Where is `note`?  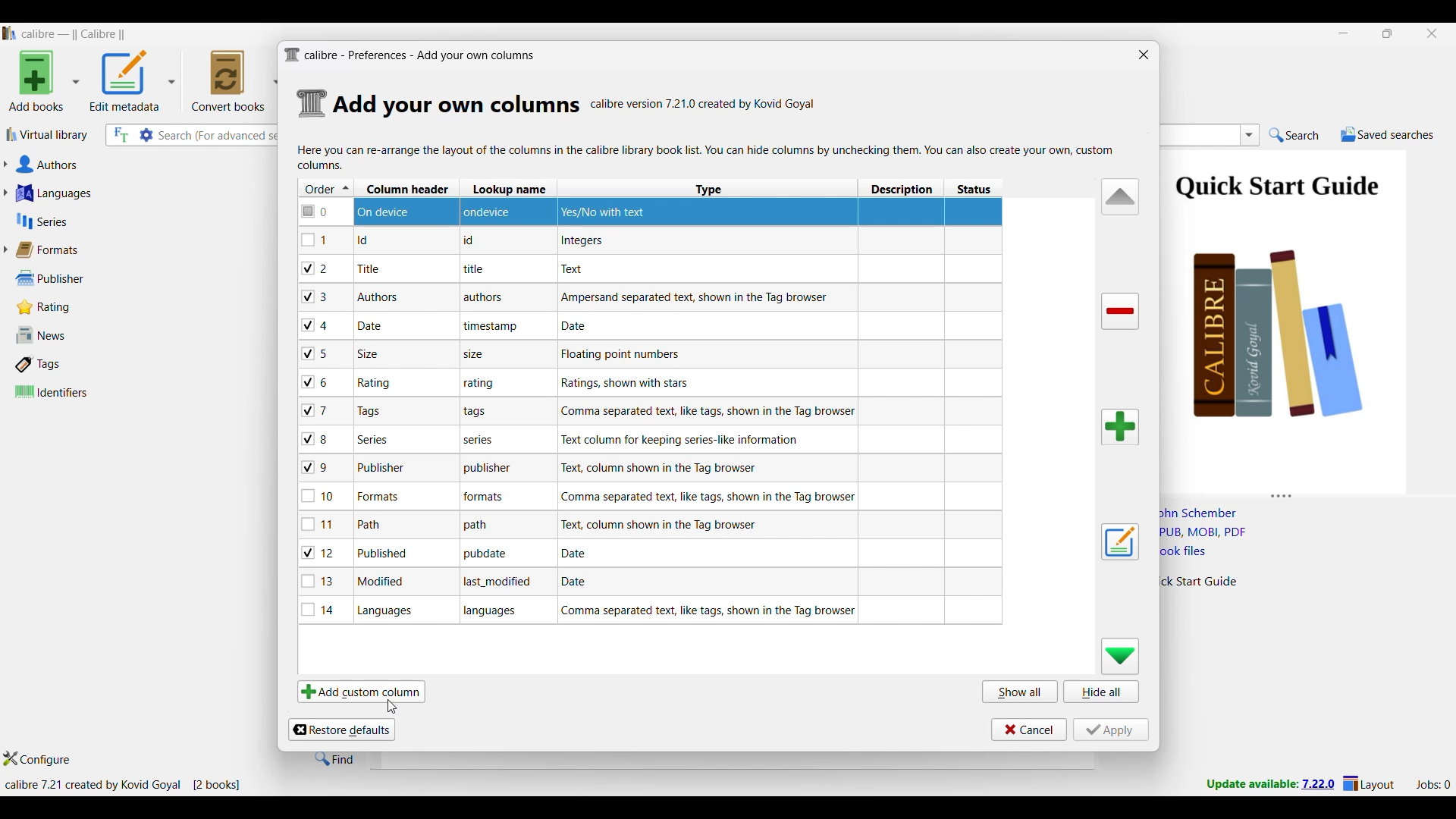 note is located at coordinates (486, 297).